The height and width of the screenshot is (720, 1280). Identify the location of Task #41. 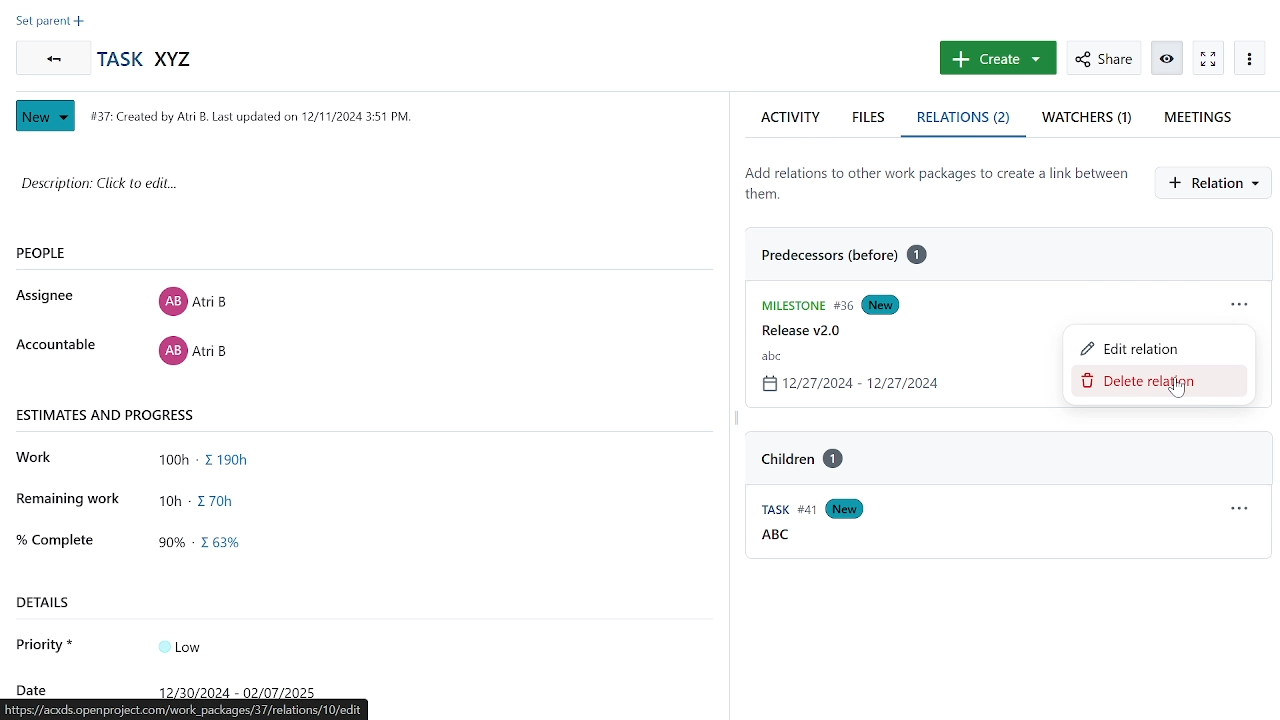
(779, 510).